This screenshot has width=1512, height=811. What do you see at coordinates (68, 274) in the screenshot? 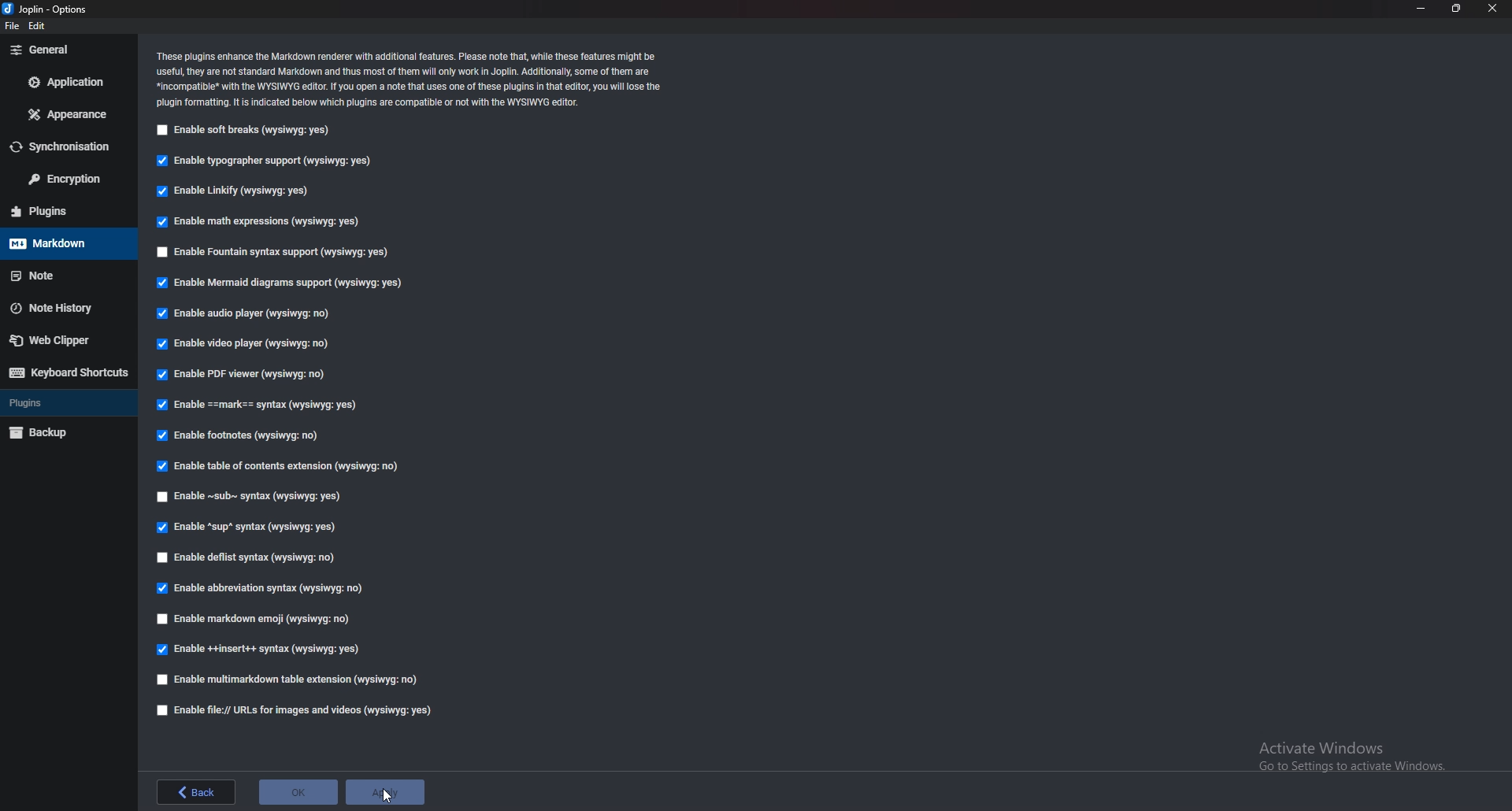
I see `note` at bounding box center [68, 274].